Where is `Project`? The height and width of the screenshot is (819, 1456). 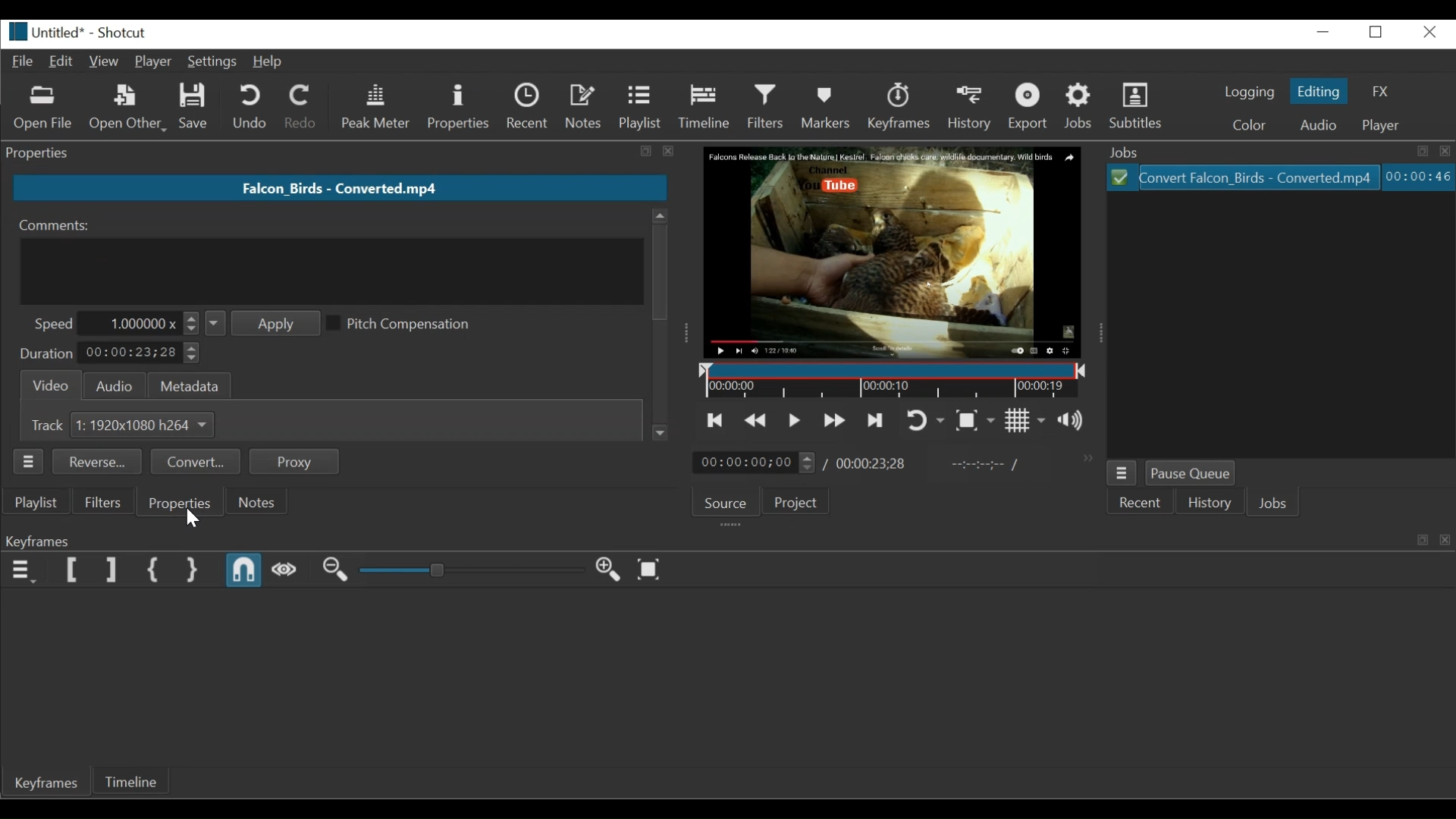
Project is located at coordinates (795, 500).